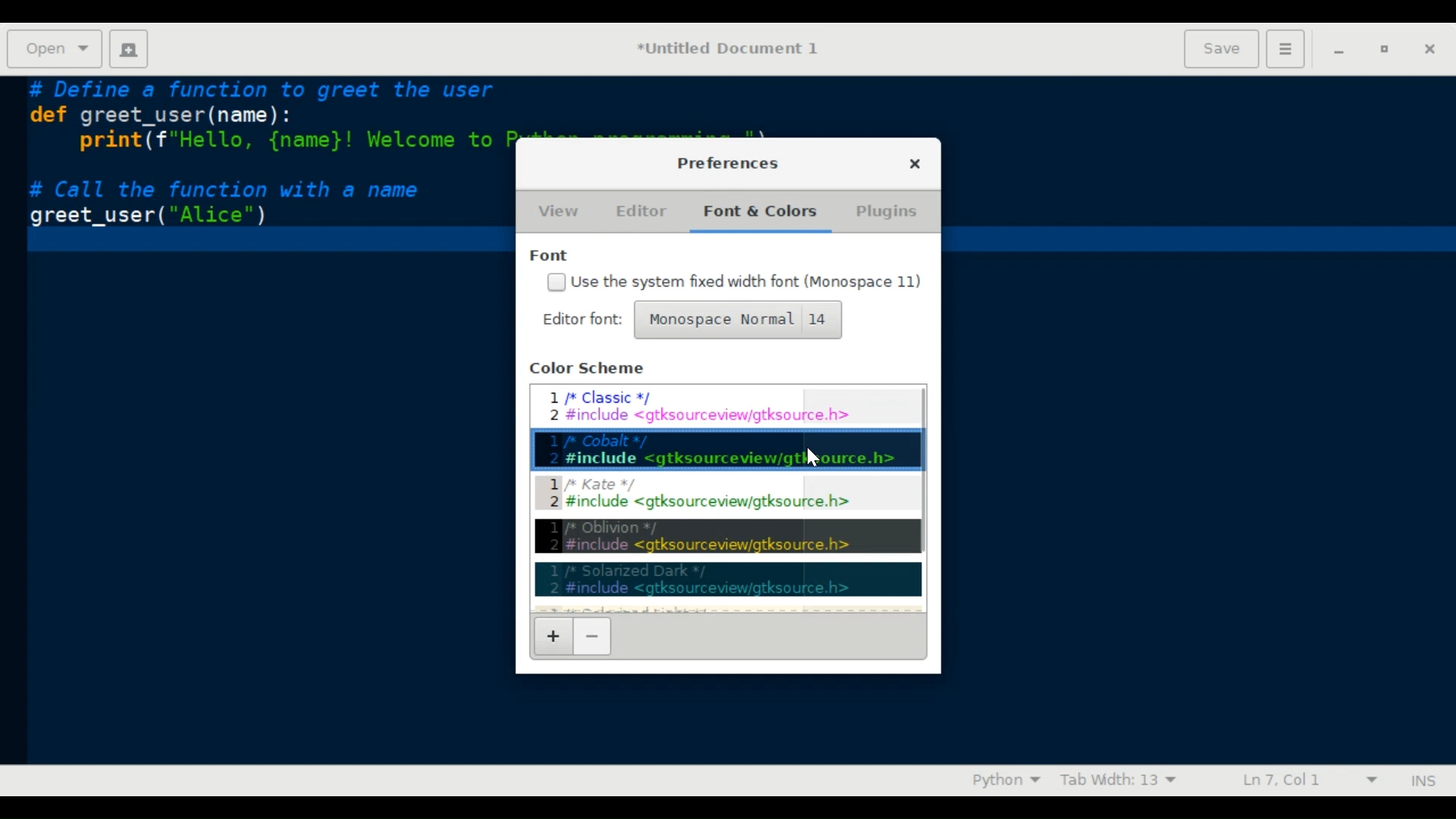 Image resolution: width=1456 pixels, height=819 pixels. I want to click on close, so click(914, 163).